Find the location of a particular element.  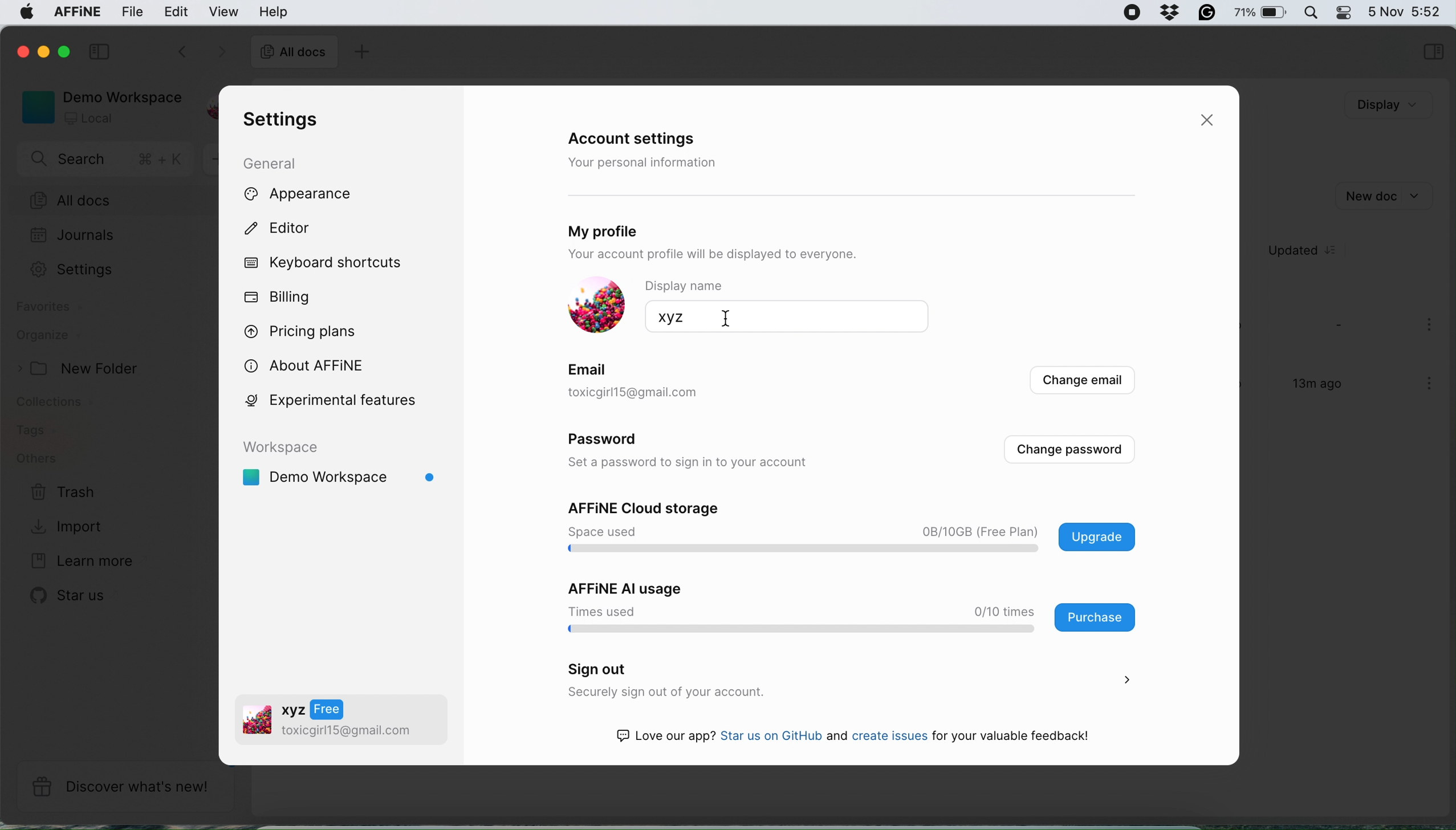

oa v2
toxicgirll5@gmail.com is located at coordinates (328, 722).